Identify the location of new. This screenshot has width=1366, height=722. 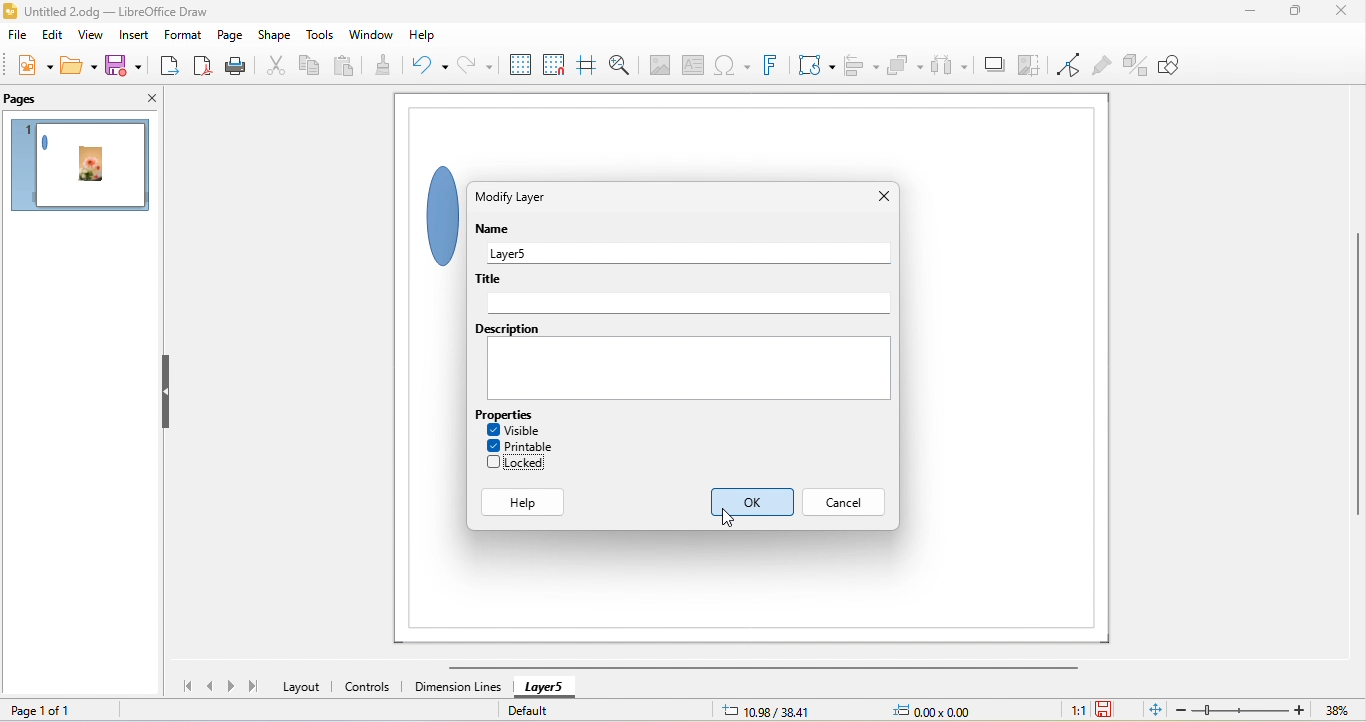
(35, 68).